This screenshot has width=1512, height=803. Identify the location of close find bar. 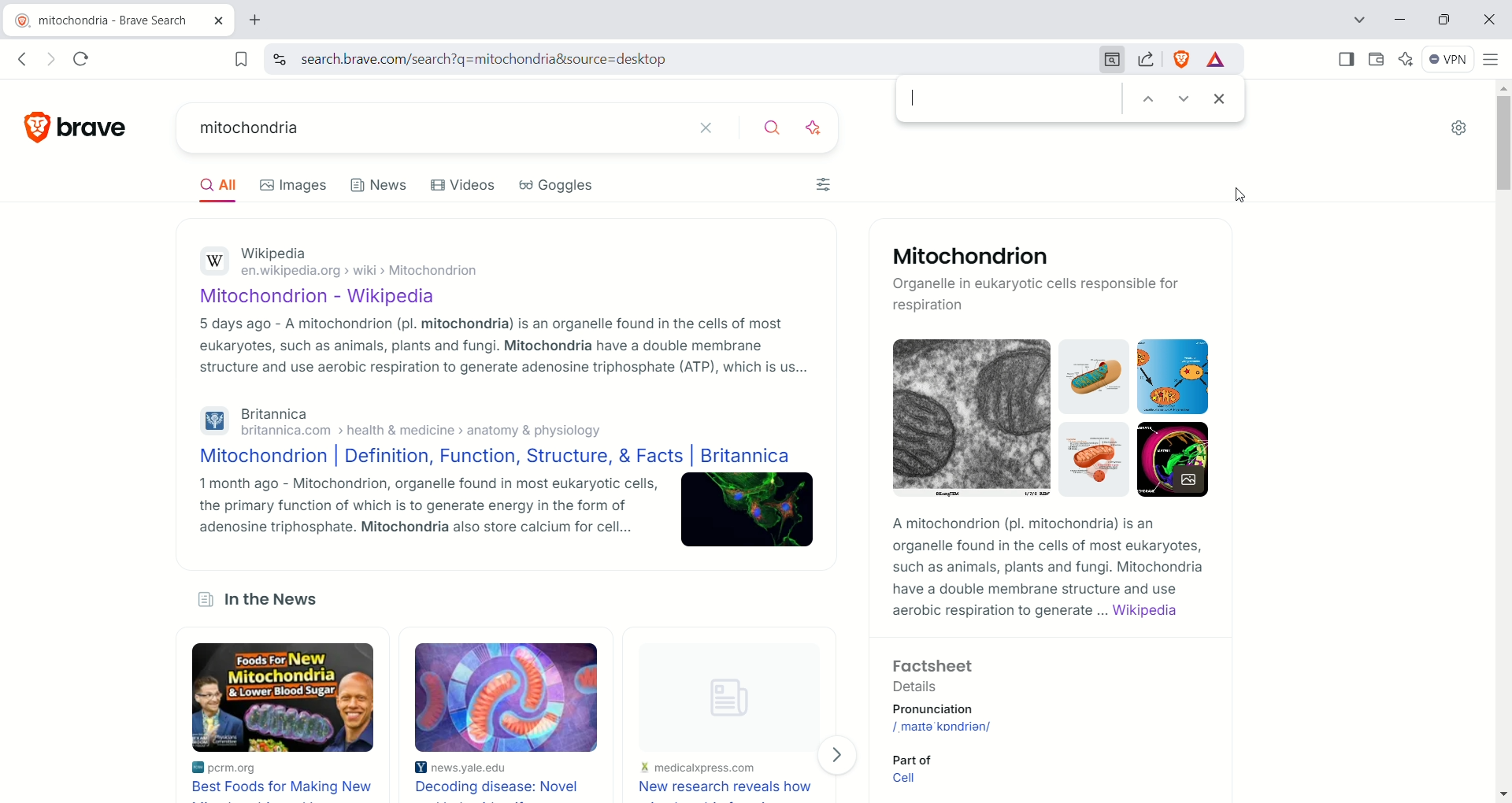
(1223, 95).